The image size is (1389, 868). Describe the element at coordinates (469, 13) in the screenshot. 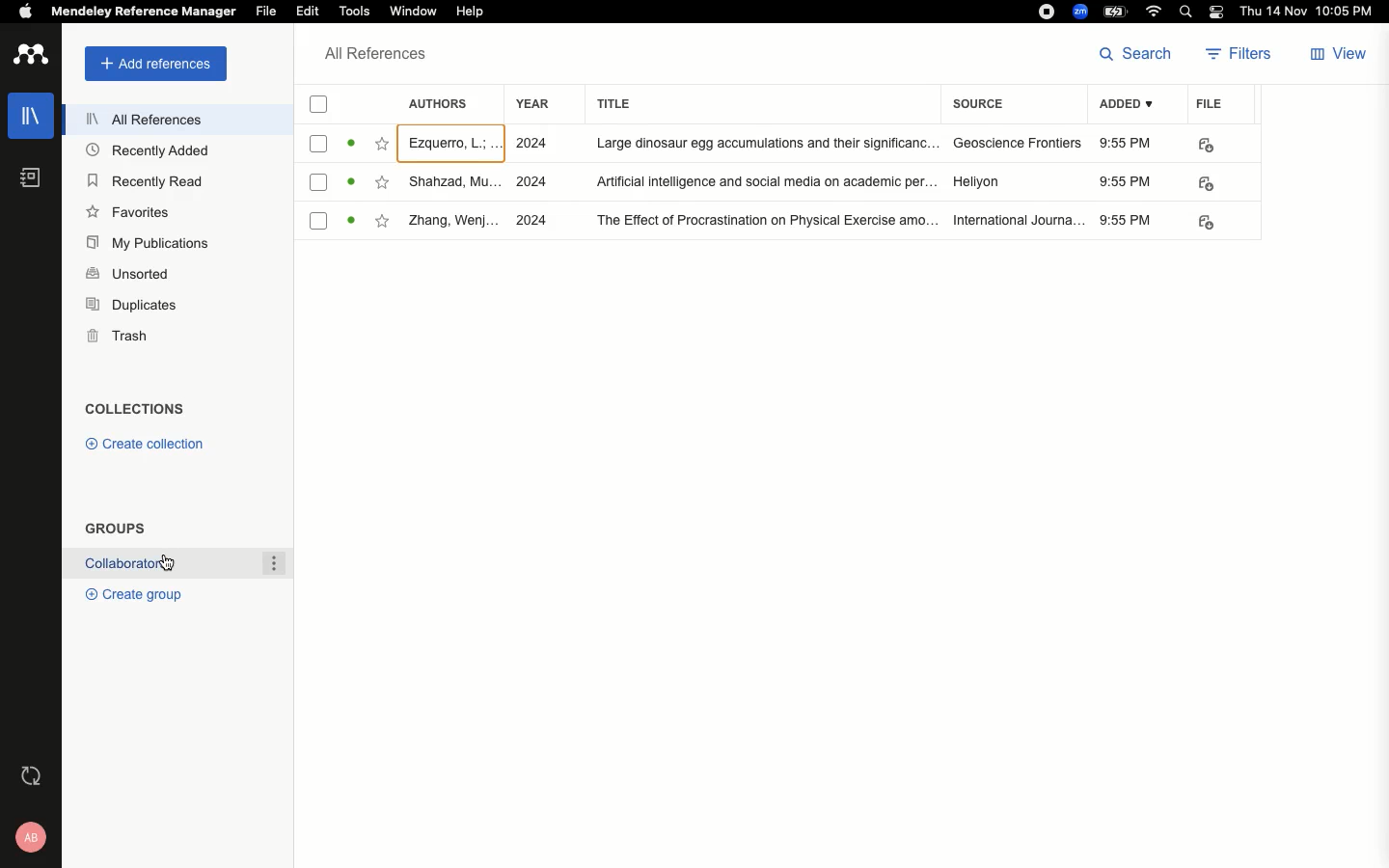

I see `Help` at that location.